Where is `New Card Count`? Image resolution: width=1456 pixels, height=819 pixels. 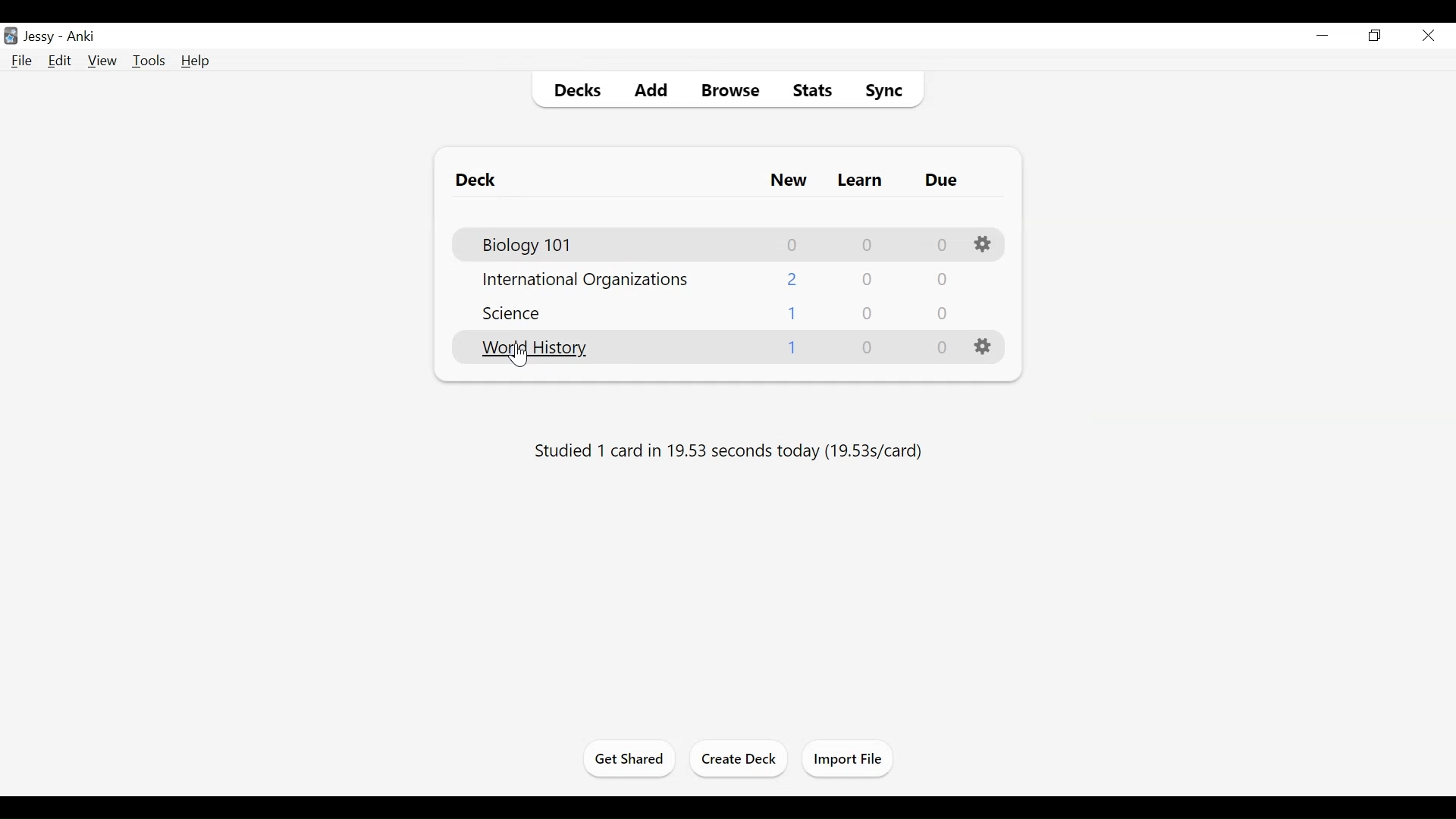 New Card Count is located at coordinates (793, 350).